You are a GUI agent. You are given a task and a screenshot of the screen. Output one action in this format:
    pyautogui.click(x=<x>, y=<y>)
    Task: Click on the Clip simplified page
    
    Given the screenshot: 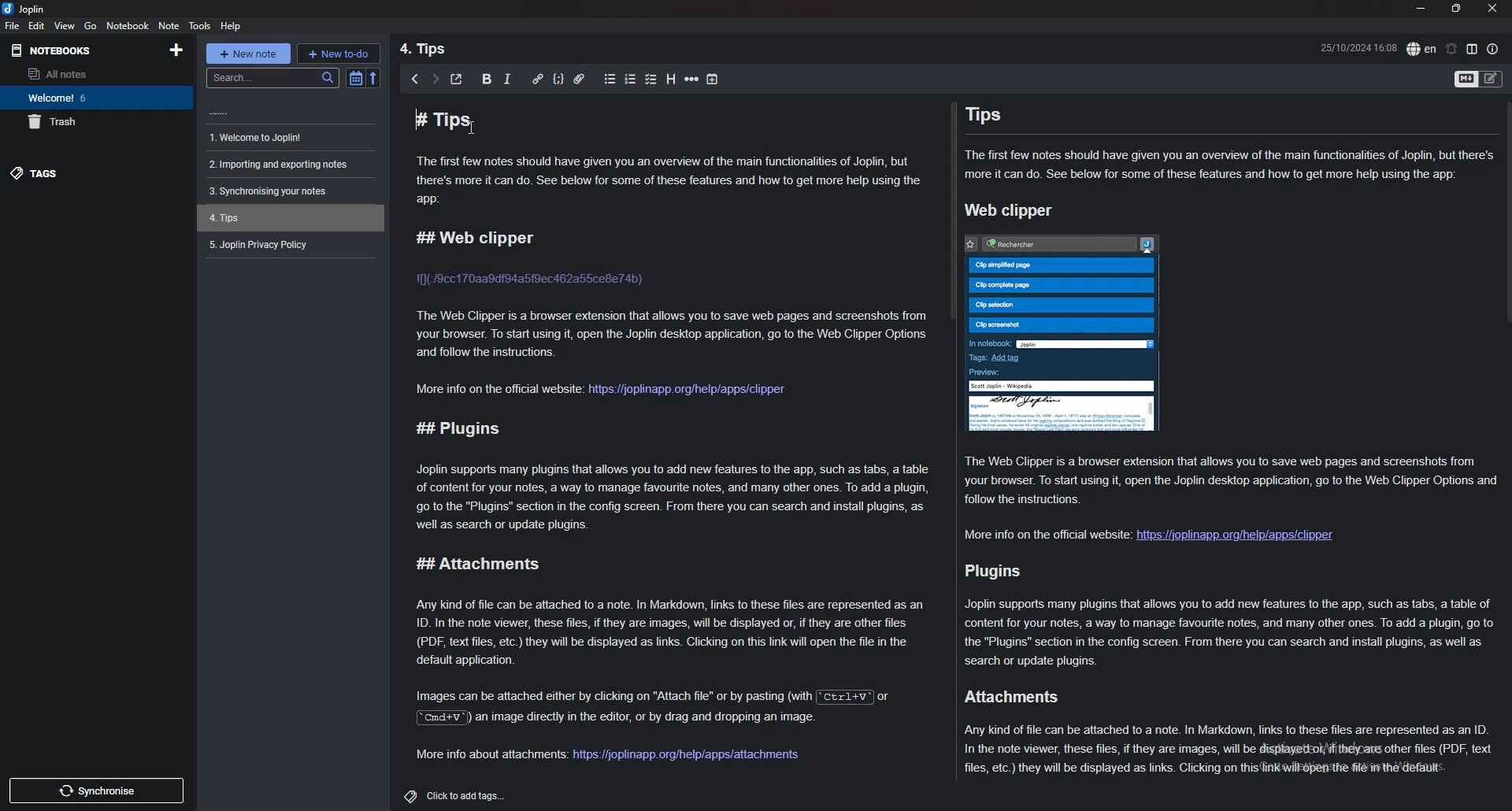 What is the action you would take?
    pyautogui.click(x=1059, y=265)
    